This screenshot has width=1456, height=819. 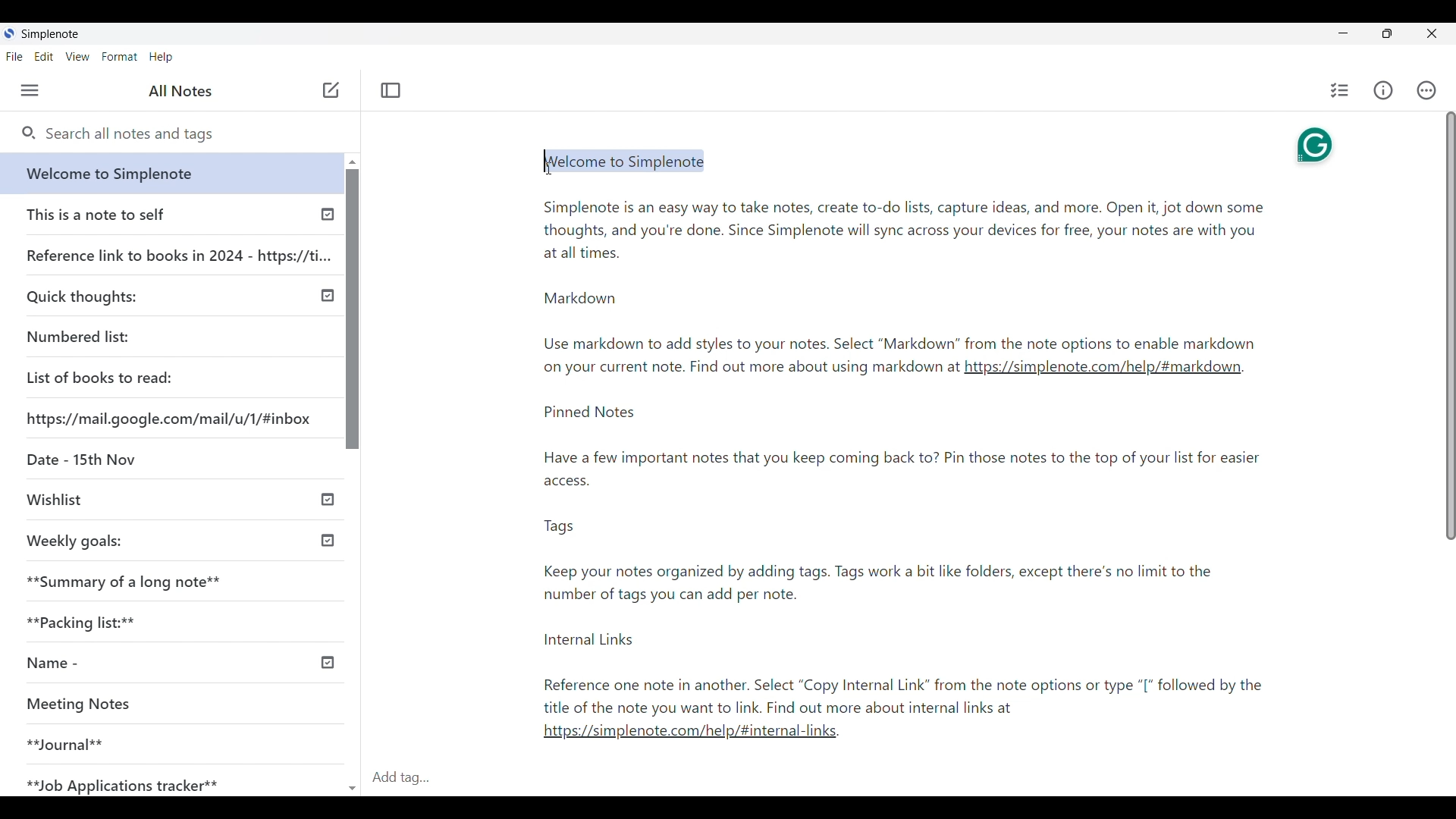 I want to click on Title of left panel, so click(x=180, y=91).